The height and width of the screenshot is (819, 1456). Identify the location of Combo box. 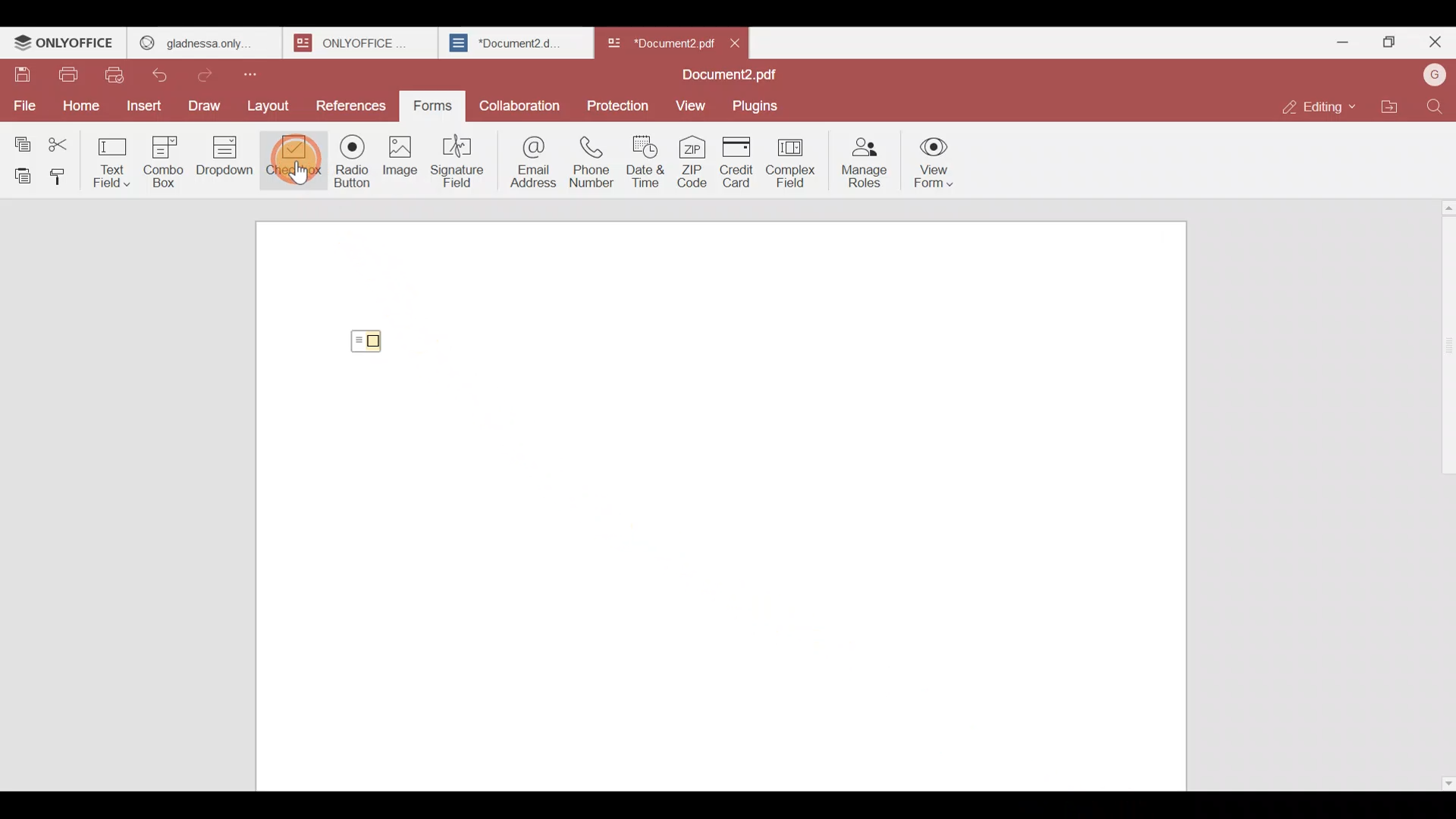
(163, 159).